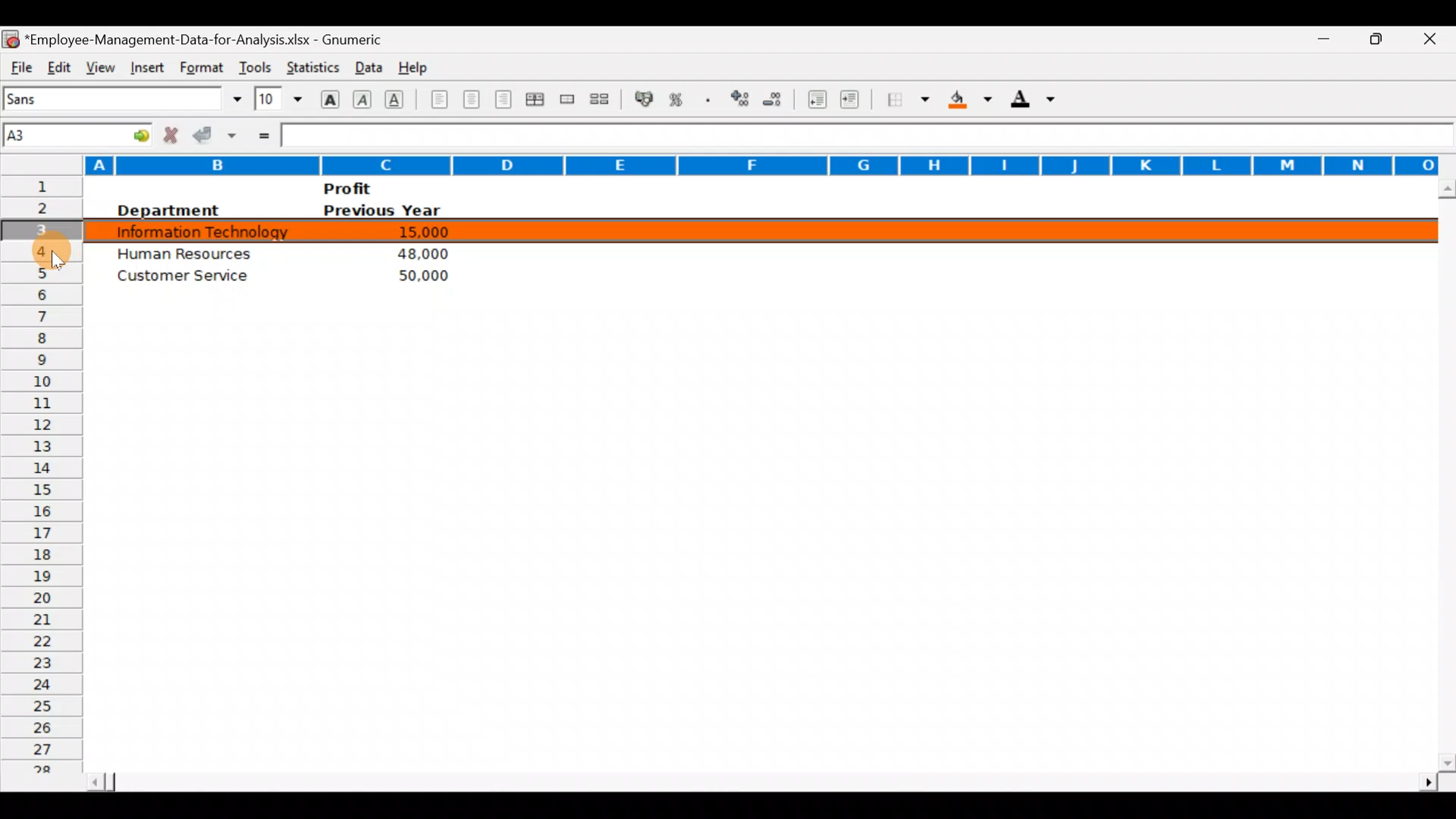 The image size is (1456, 819). I want to click on Decrease indent, align contents to the left, so click(819, 101).